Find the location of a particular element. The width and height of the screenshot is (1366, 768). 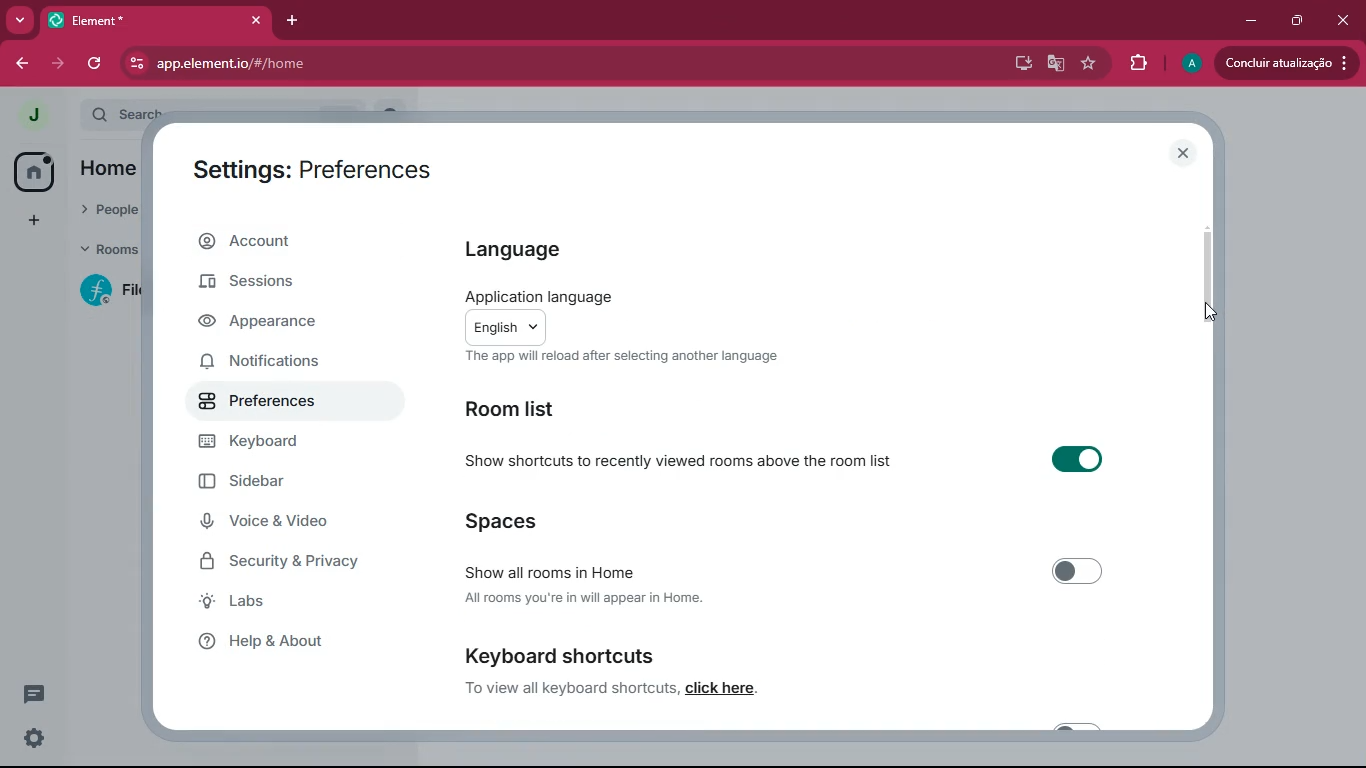

more is located at coordinates (20, 19).